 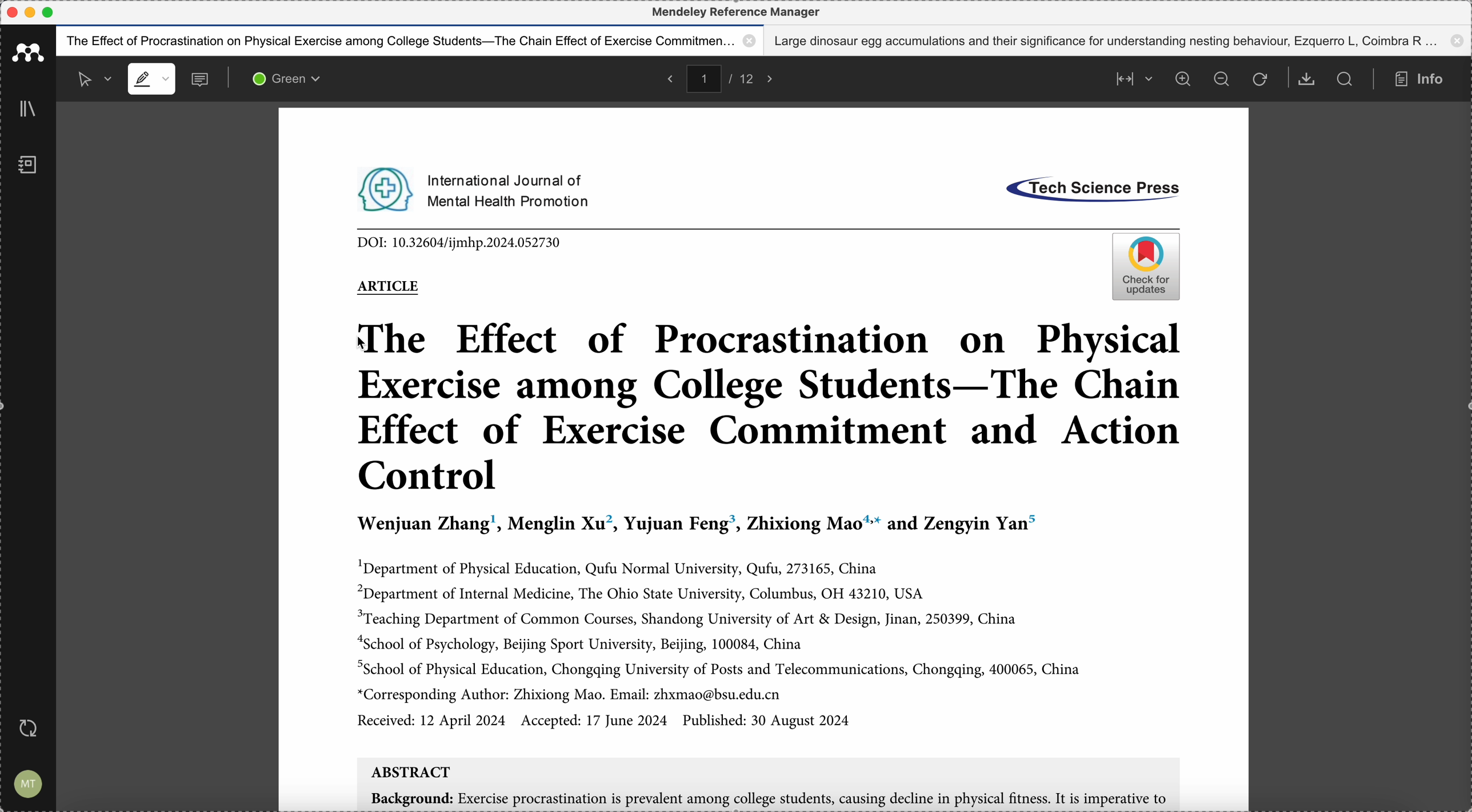 What do you see at coordinates (89, 78) in the screenshot?
I see `selected mode` at bounding box center [89, 78].